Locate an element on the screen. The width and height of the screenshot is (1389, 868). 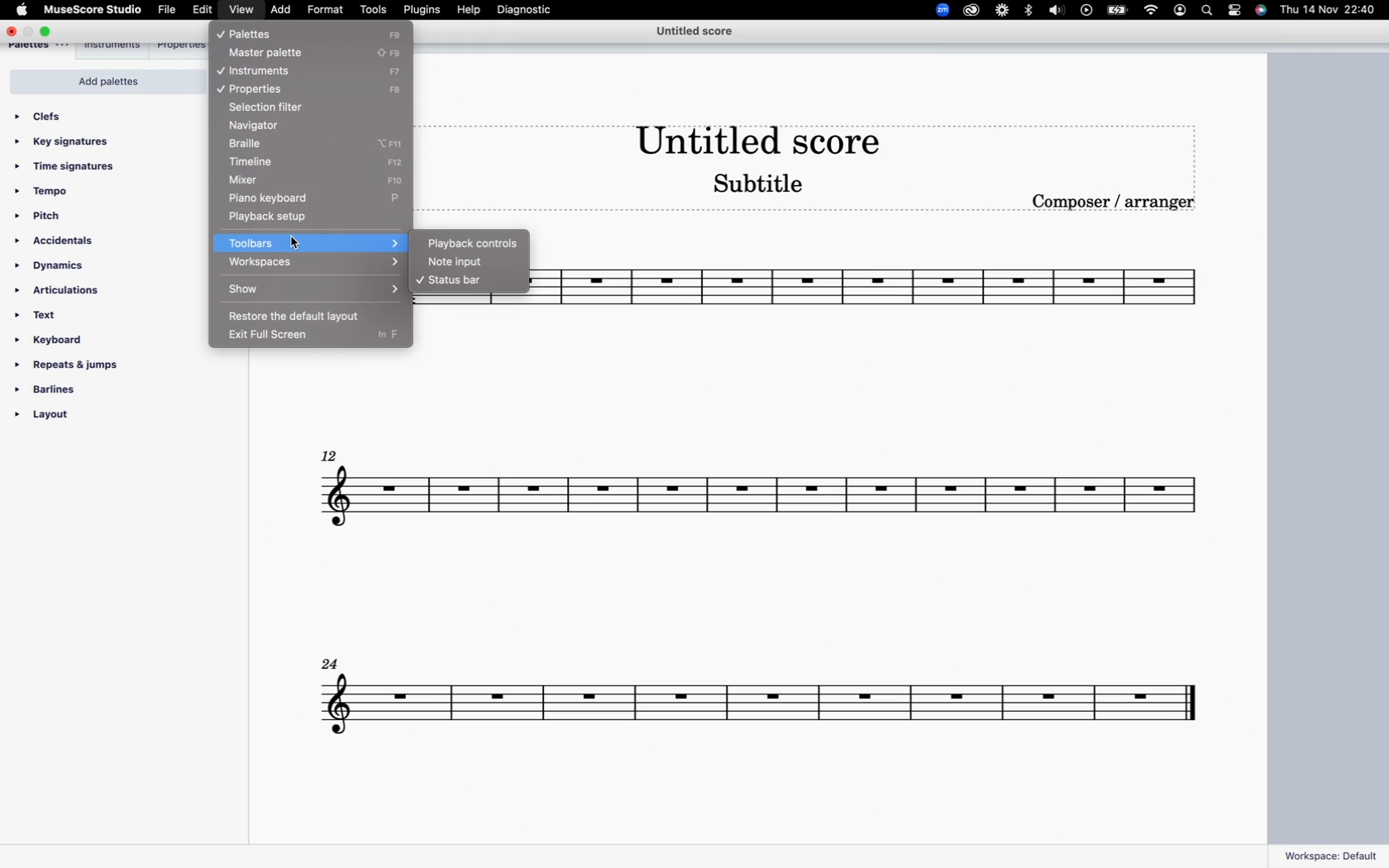
edit is located at coordinates (201, 10).